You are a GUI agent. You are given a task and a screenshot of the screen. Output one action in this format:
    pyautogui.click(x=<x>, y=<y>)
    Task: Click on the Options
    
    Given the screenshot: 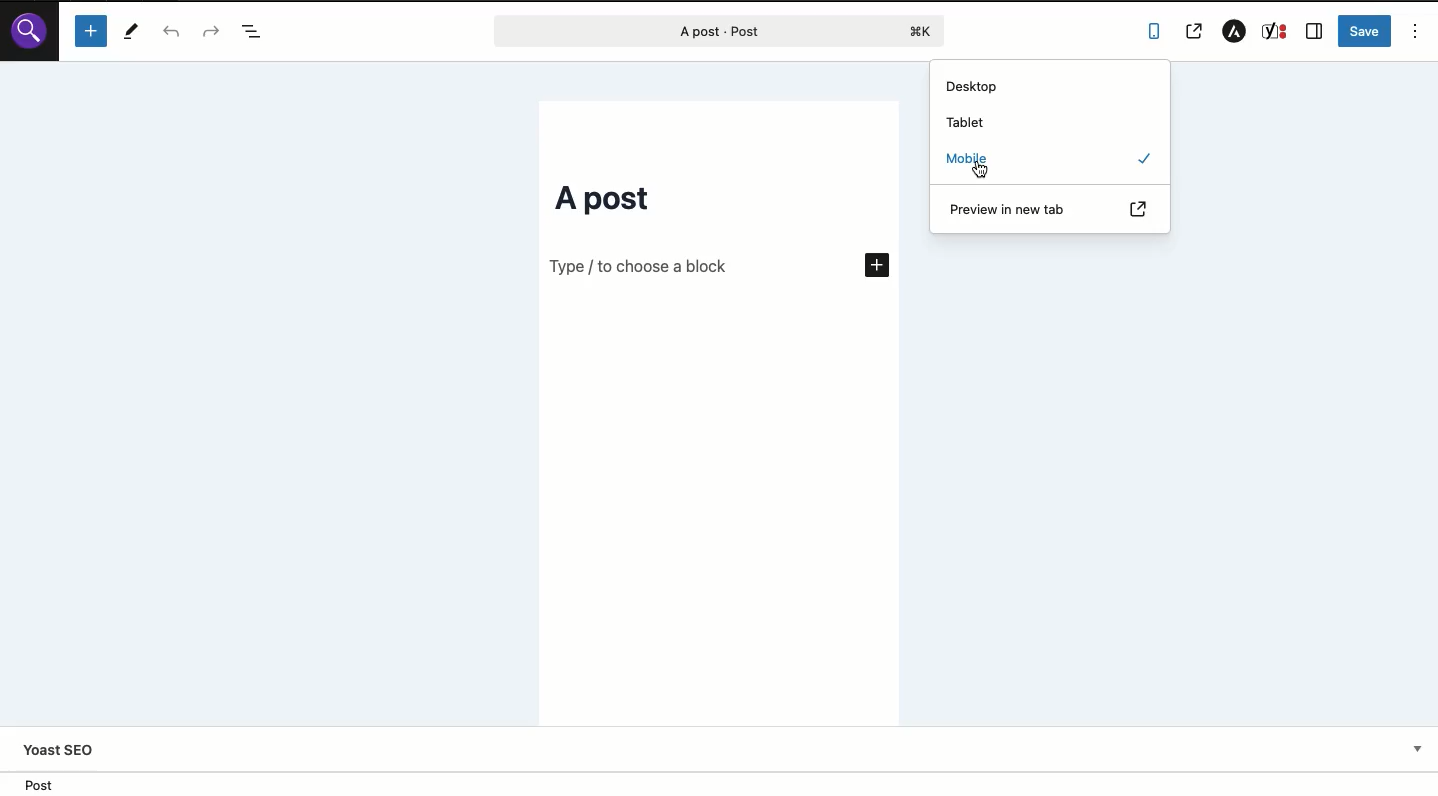 What is the action you would take?
    pyautogui.click(x=1416, y=31)
    